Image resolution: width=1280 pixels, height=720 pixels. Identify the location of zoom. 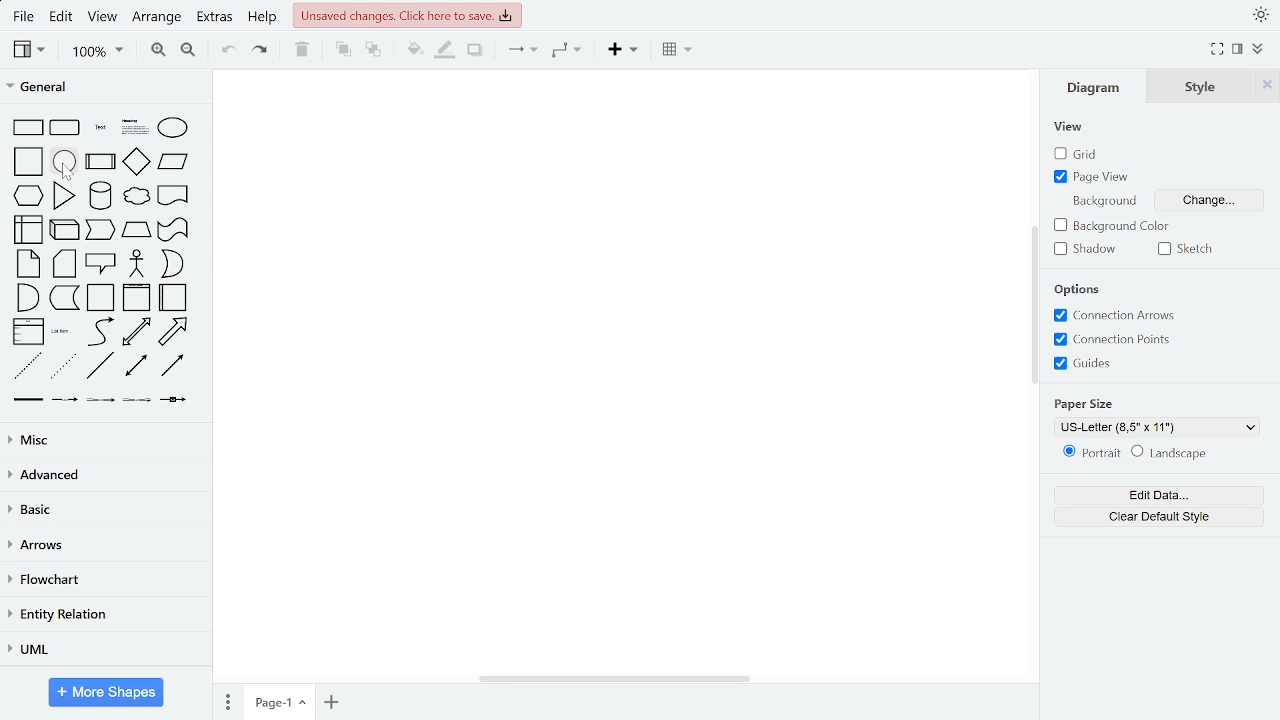
(94, 51).